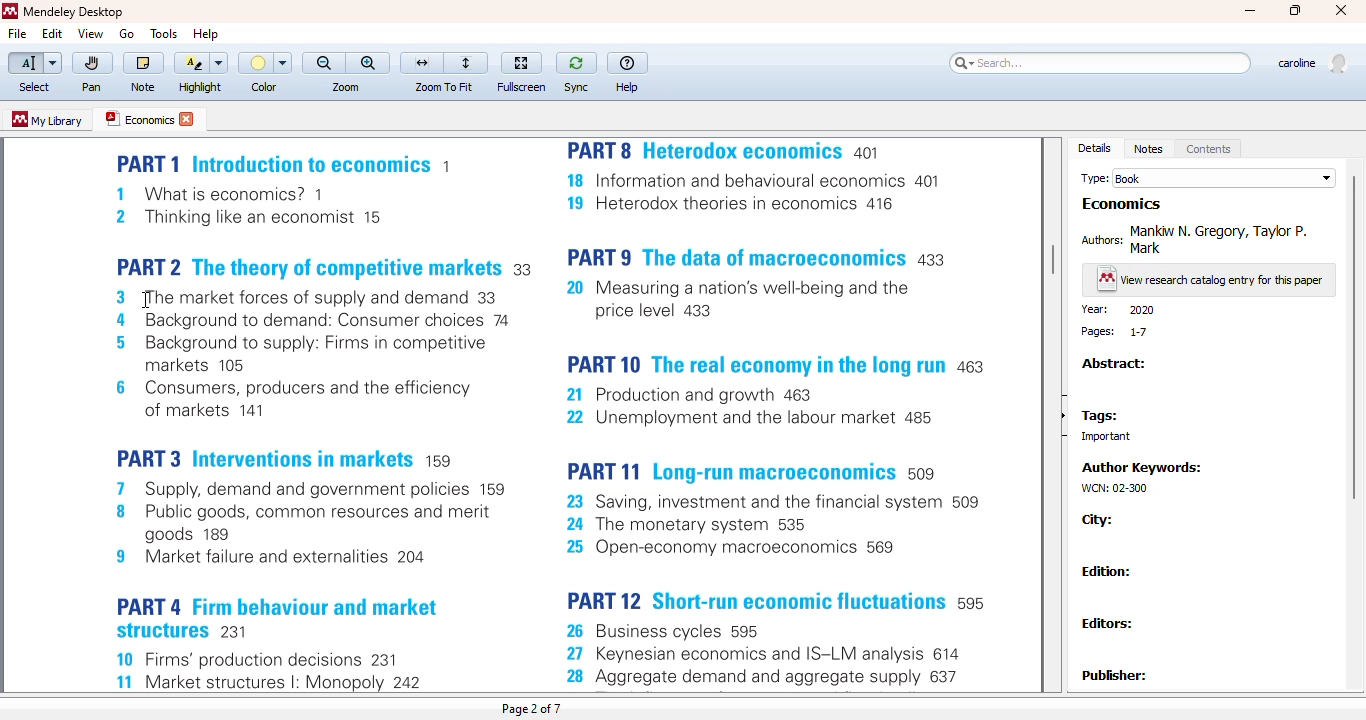 The image size is (1366, 720). I want to click on Pin, so click(91, 64).